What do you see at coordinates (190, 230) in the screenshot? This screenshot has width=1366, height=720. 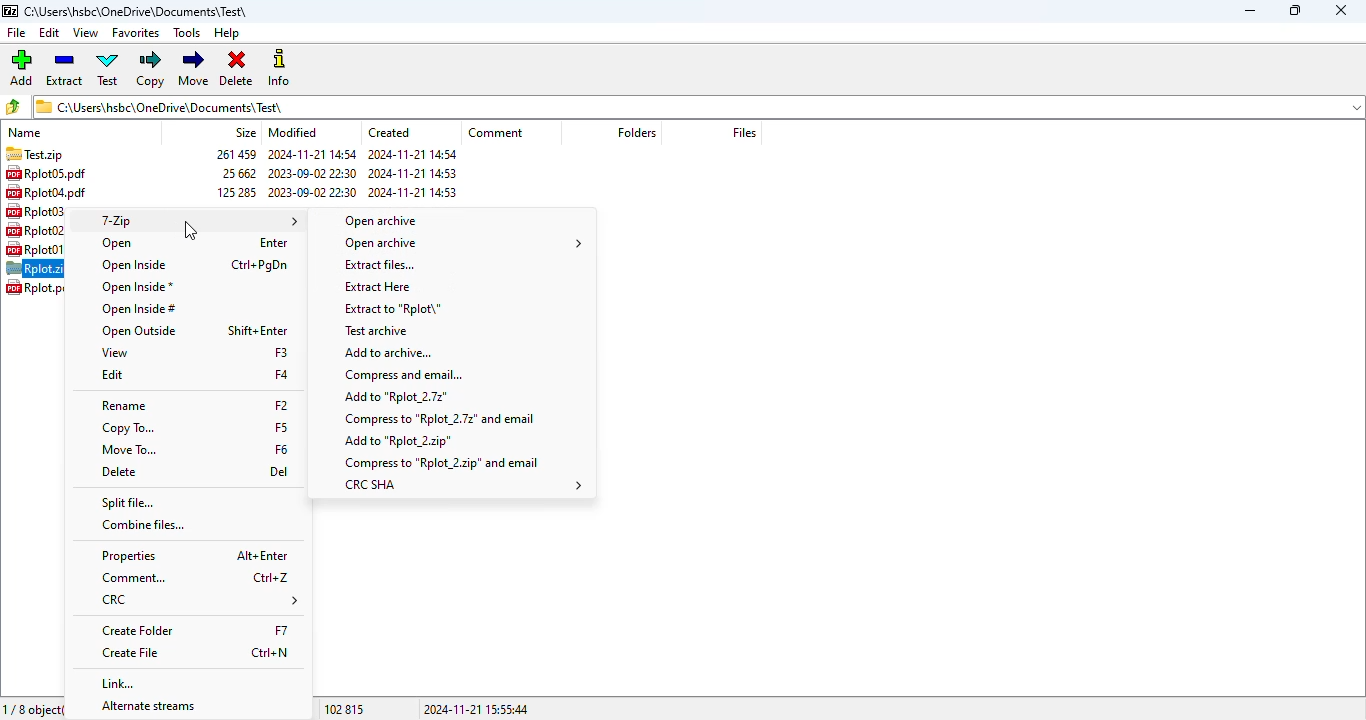 I see `cursor` at bounding box center [190, 230].